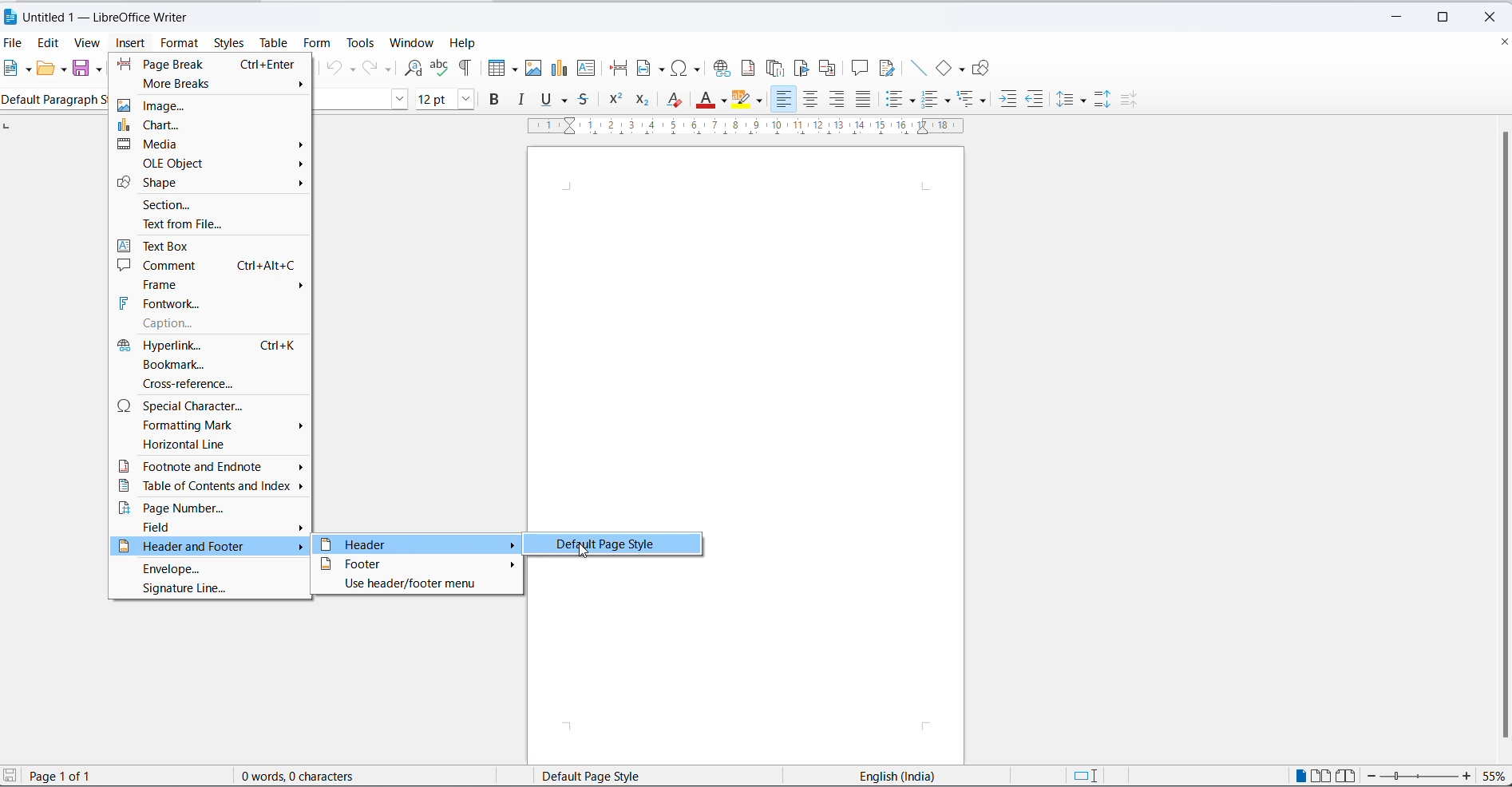  What do you see at coordinates (747, 69) in the screenshot?
I see `insert footnote` at bounding box center [747, 69].